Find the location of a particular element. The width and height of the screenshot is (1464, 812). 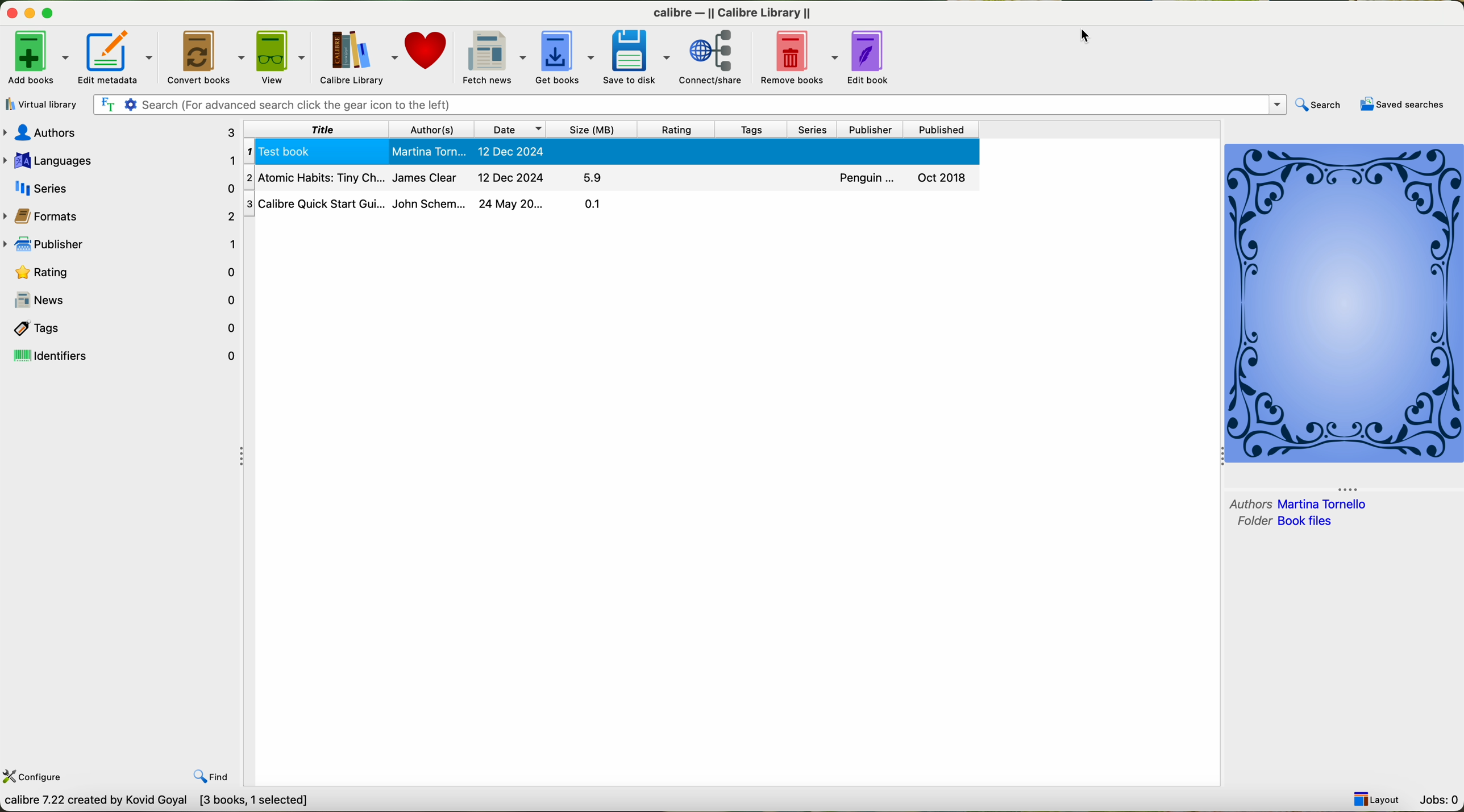

Calibre Quick Start Gu is located at coordinates (623, 206).